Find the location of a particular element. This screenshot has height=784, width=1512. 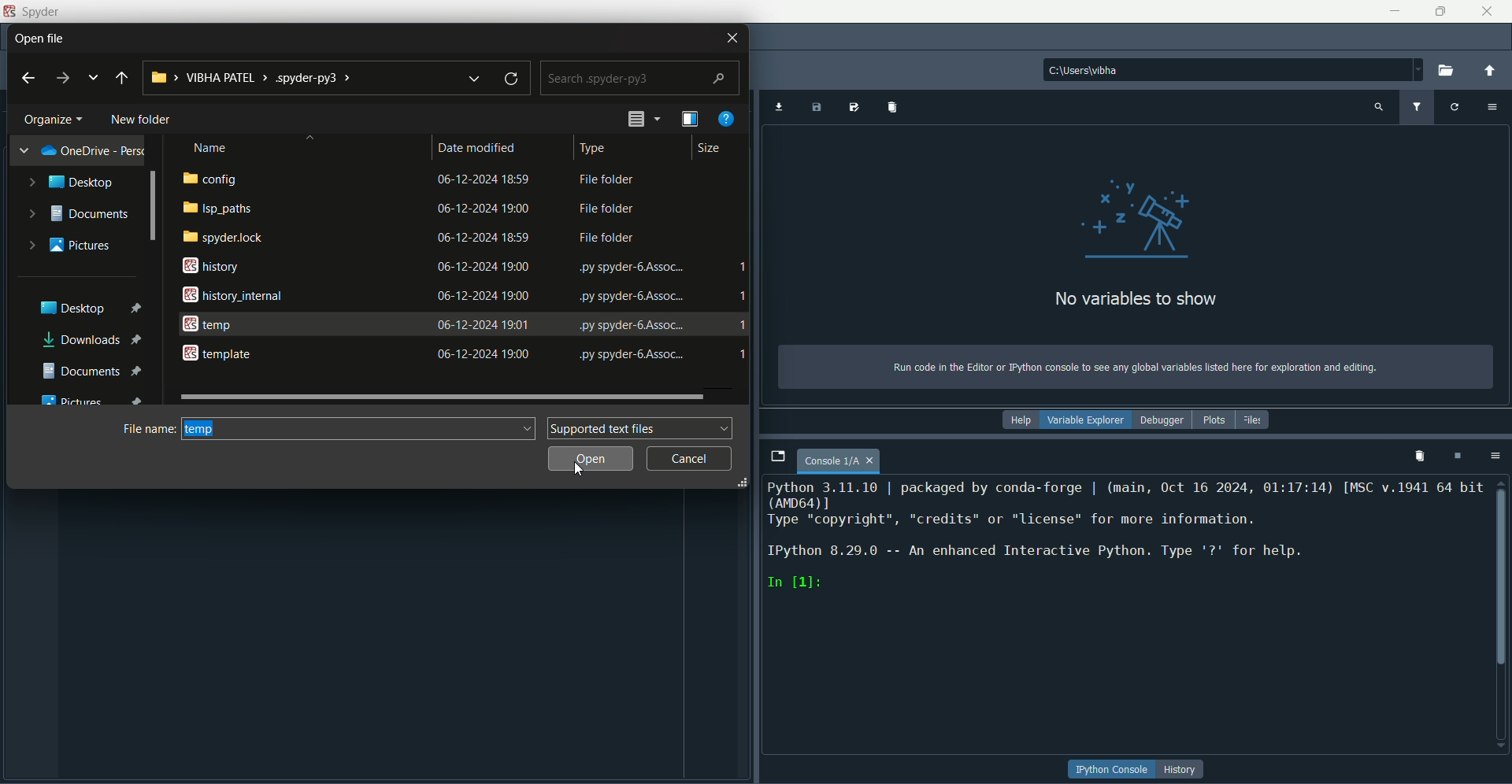

import variables is located at coordinates (891, 108).